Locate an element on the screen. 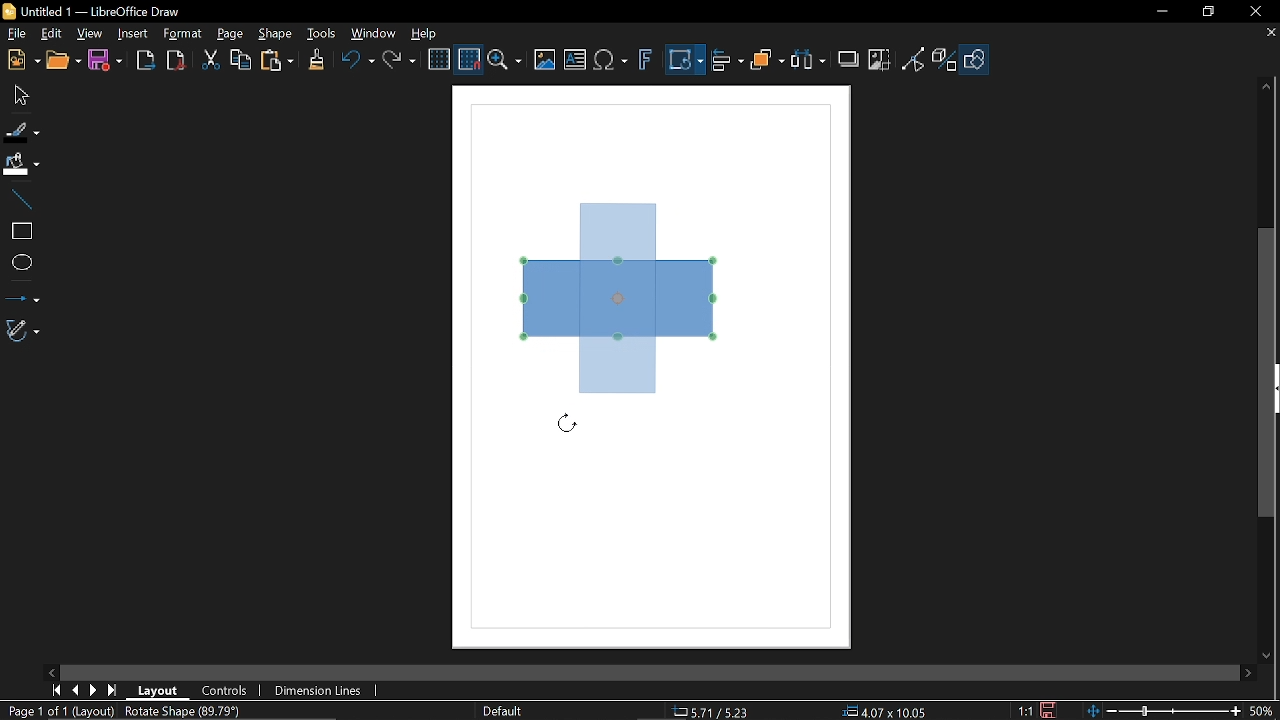 Image resolution: width=1280 pixels, height=720 pixels. line color is located at coordinates (21, 128).